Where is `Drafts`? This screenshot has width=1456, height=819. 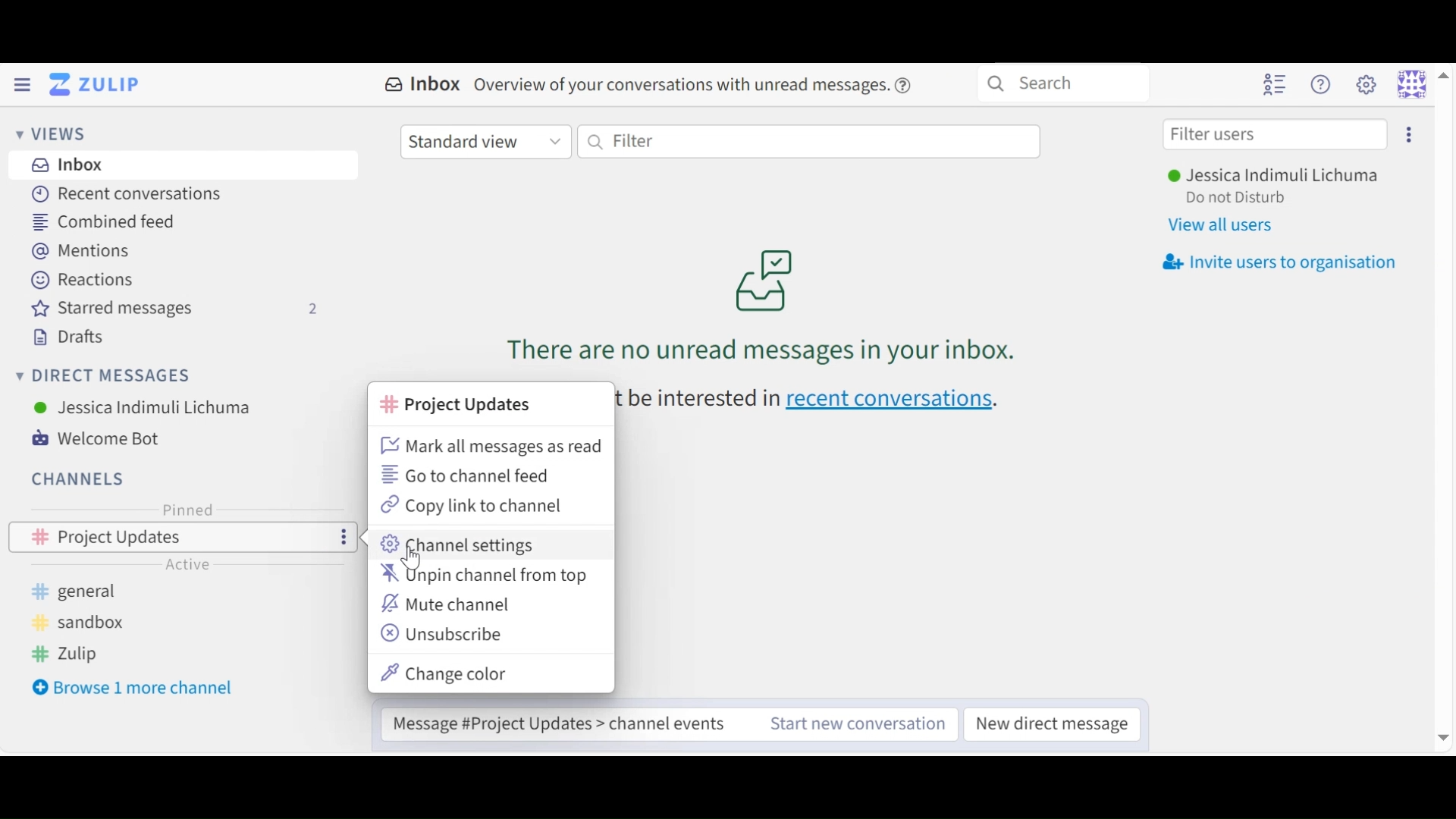 Drafts is located at coordinates (71, 337).